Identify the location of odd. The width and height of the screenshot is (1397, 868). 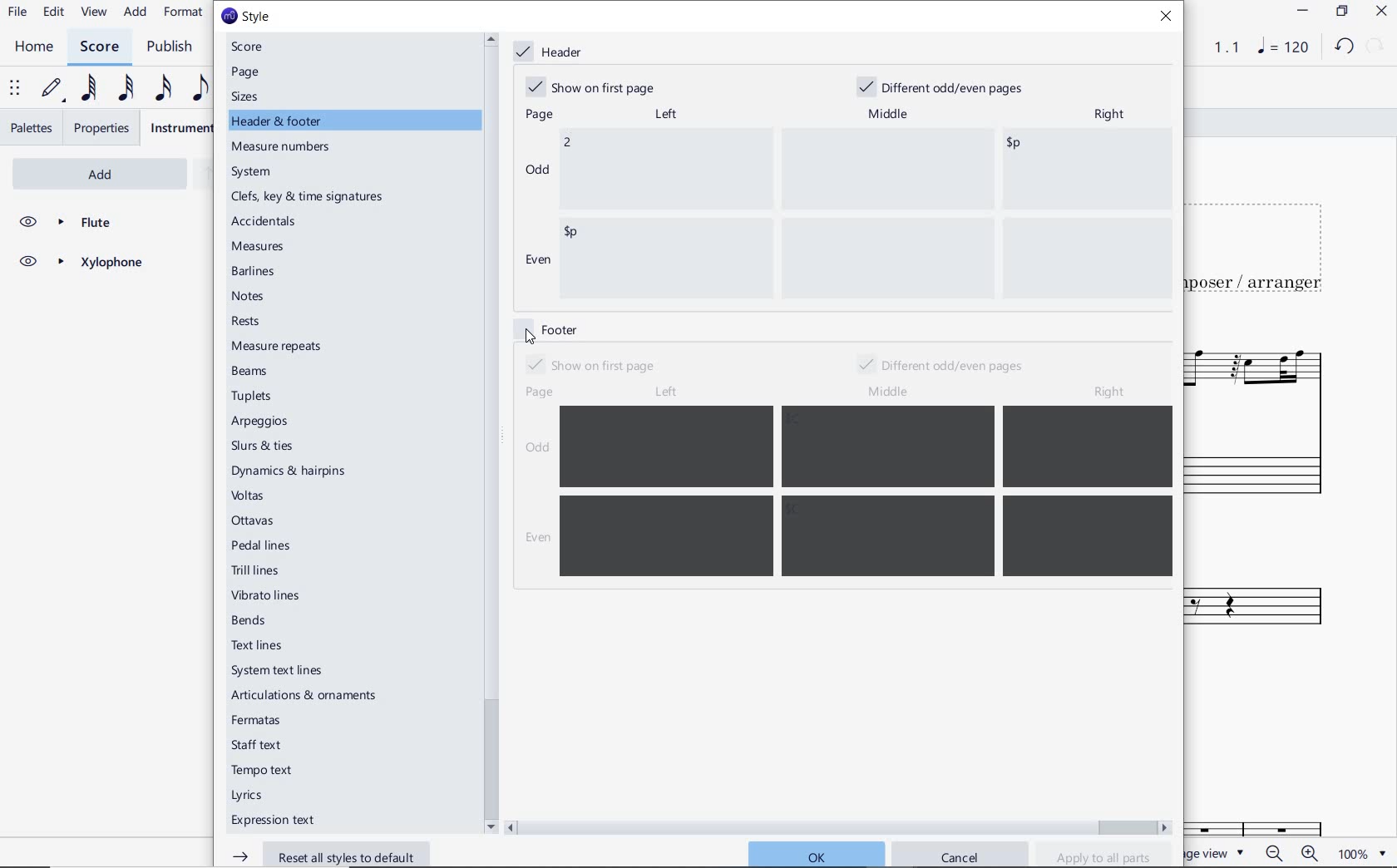
(538, 450).